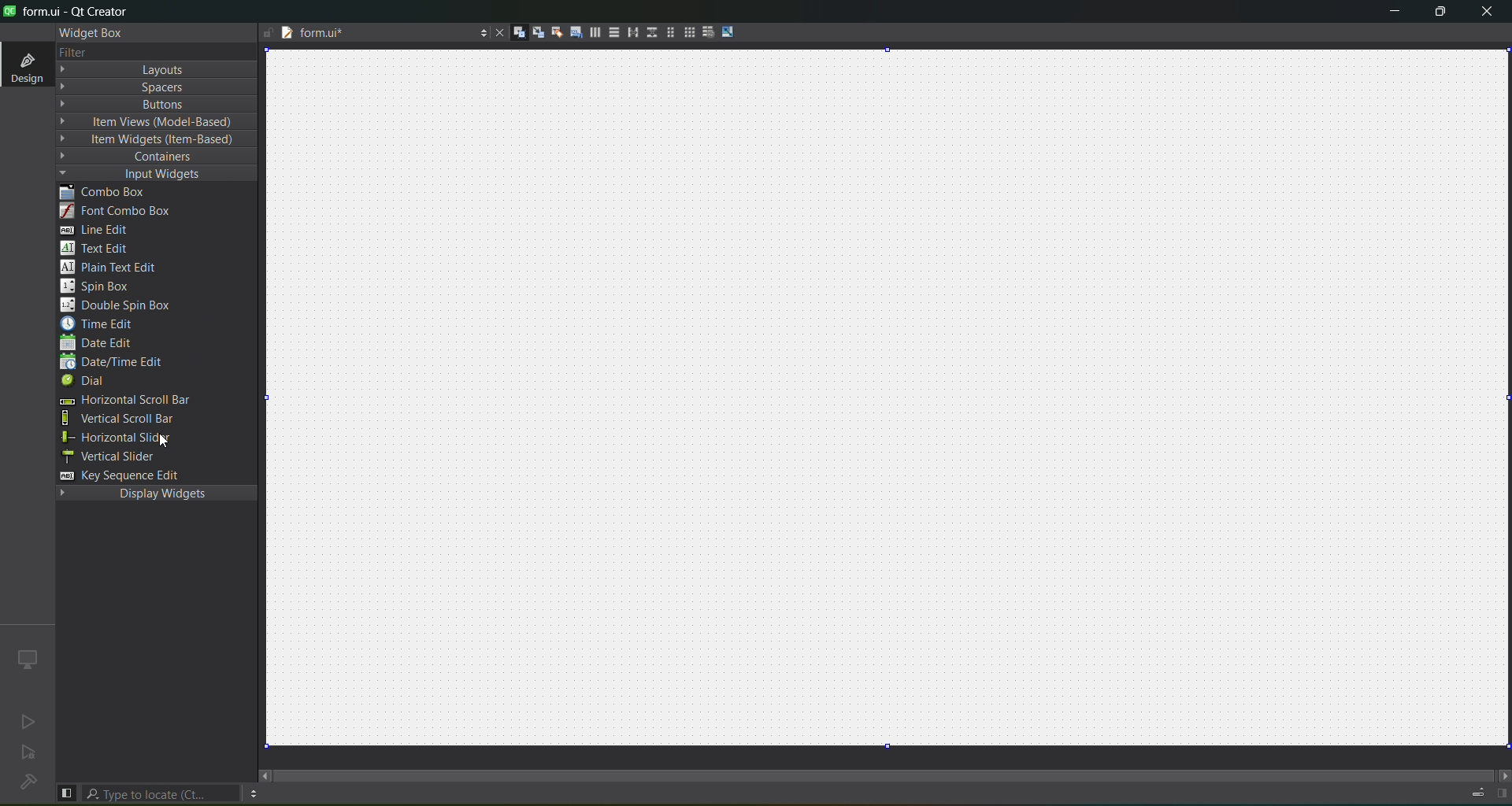  Describe the element at coordinates (114, 362) in the screenshot. I see `date/edit edit` at that location.